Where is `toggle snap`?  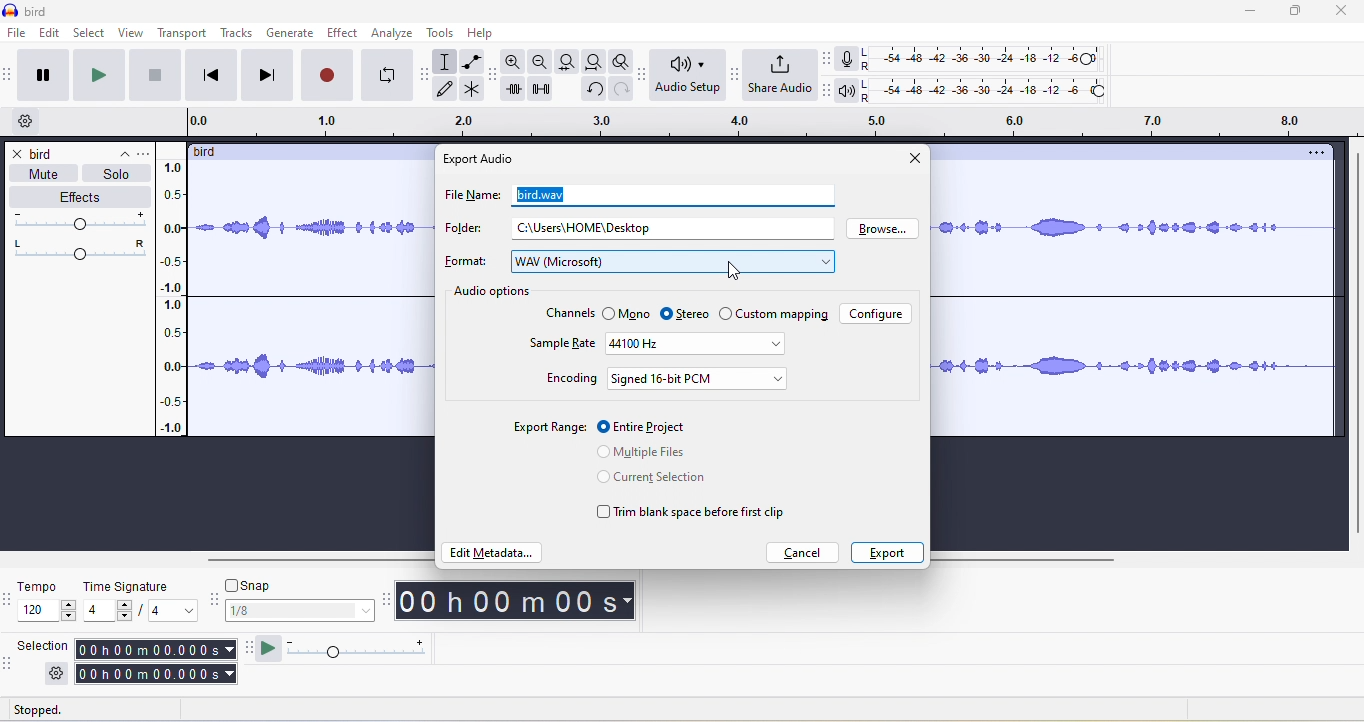 toggle snap is located at coordinates (257, 584).